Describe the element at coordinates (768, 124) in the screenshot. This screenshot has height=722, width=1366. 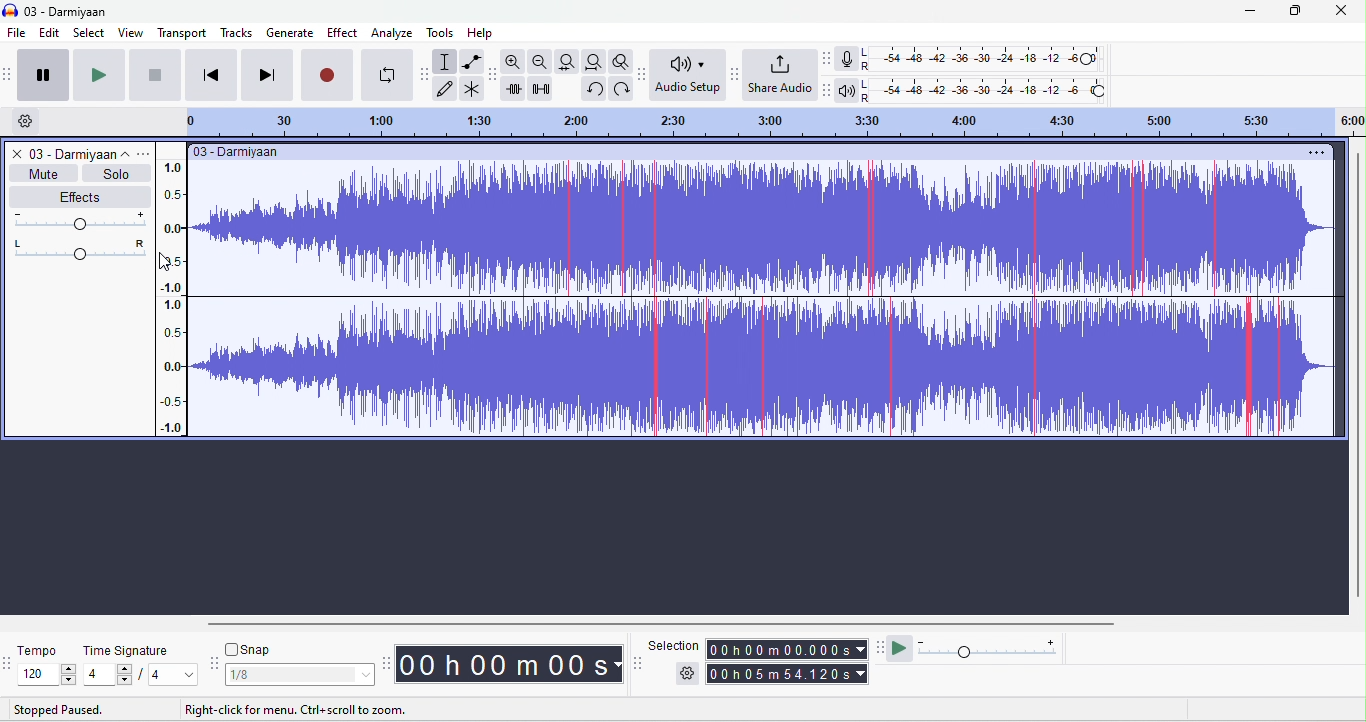
I see `timeline: drag to lop timeline` at that location.